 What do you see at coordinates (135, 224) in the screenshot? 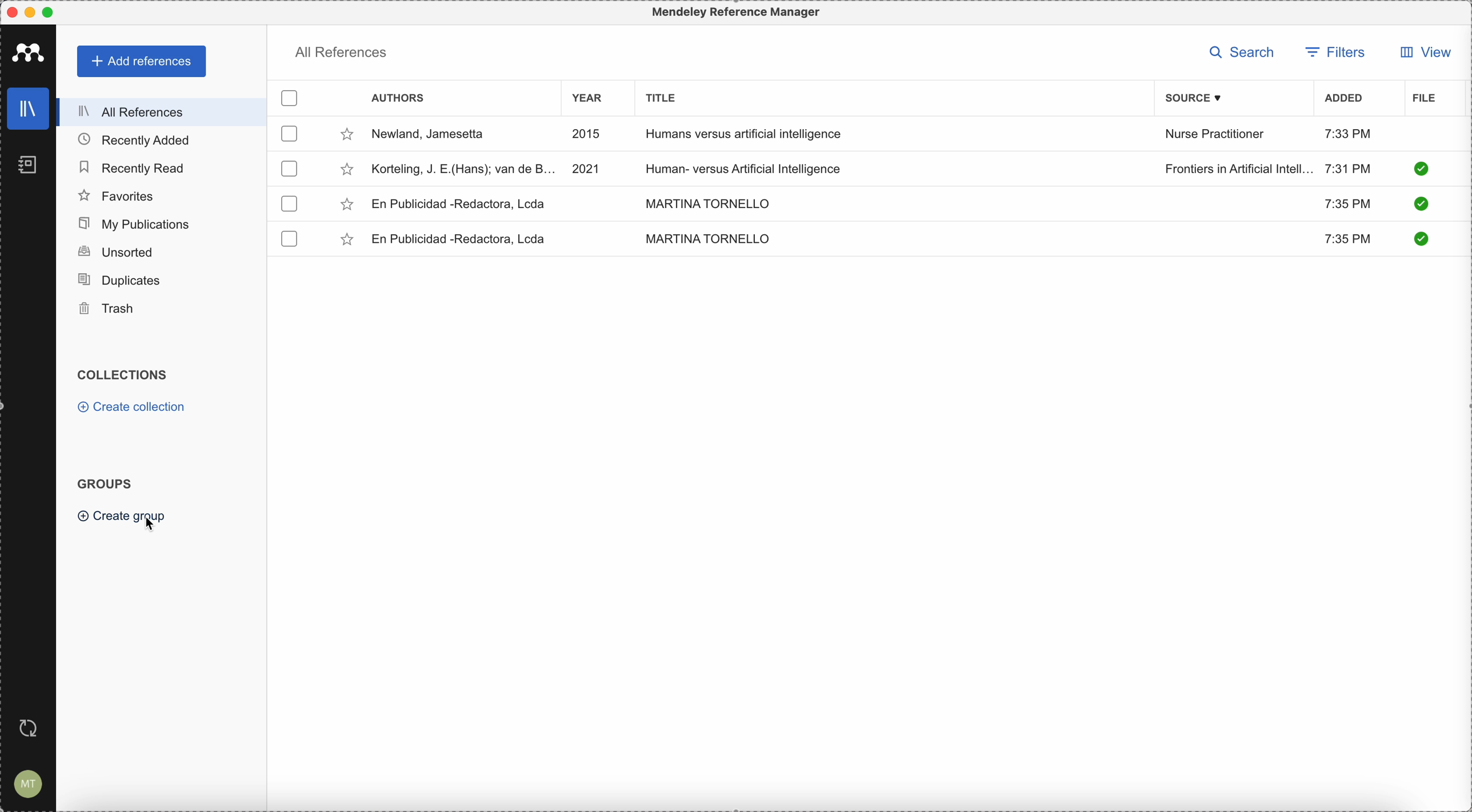
I see `my publications` at bounding box center [135, 224].